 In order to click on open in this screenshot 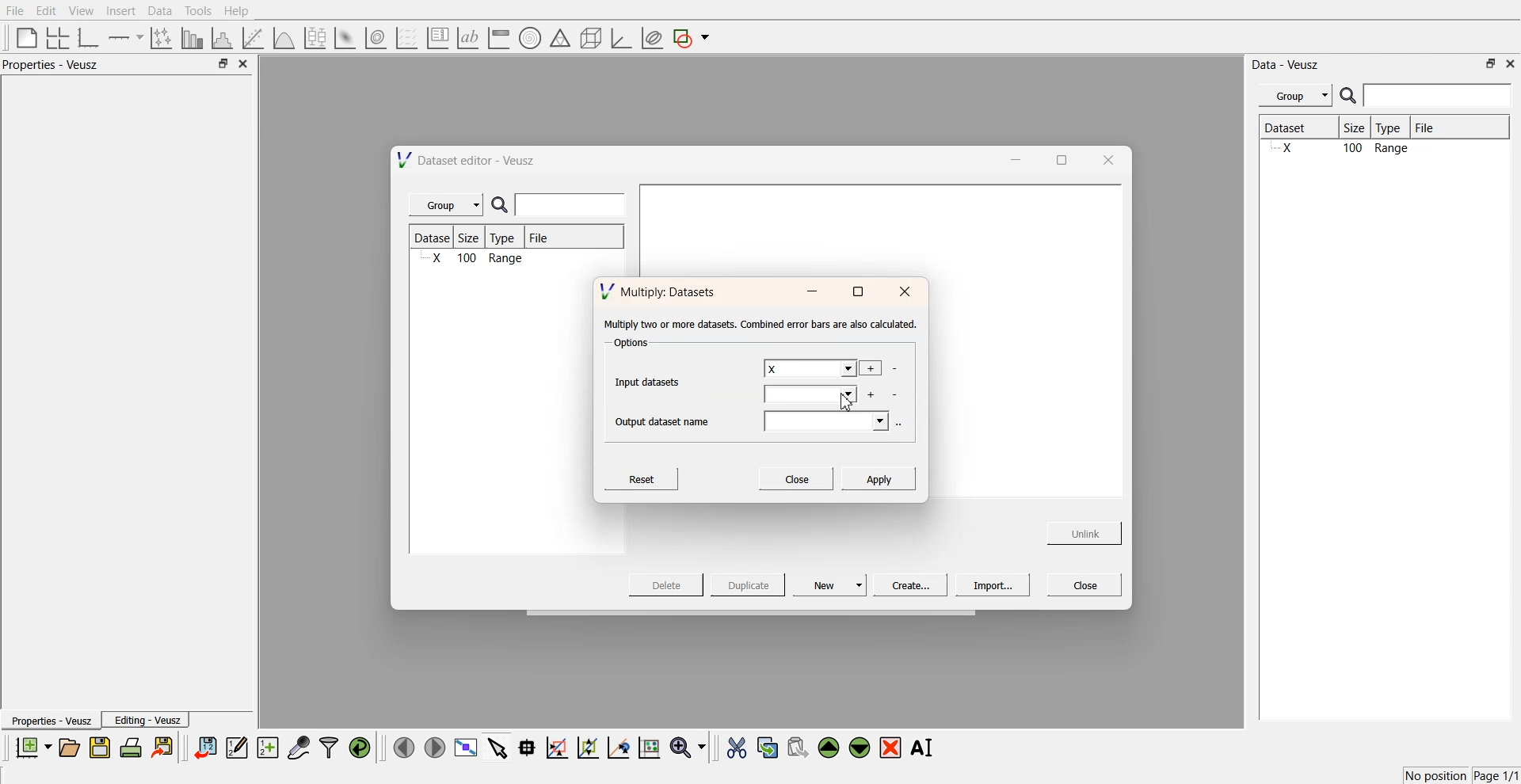, I will do `click(69, 748)`.